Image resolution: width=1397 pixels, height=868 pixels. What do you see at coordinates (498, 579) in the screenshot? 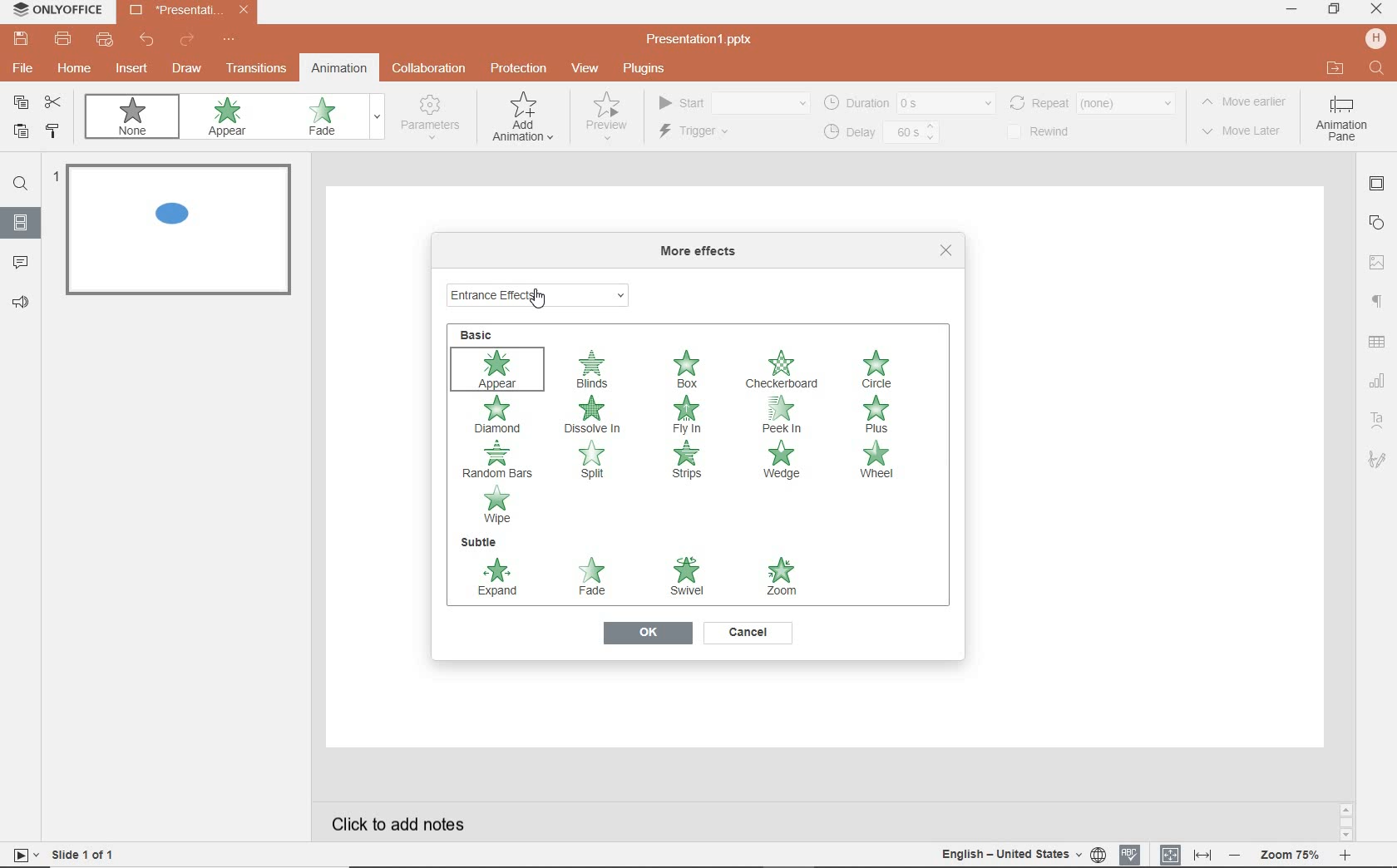
I see `EXPAND` at bounding box center [498, 579].